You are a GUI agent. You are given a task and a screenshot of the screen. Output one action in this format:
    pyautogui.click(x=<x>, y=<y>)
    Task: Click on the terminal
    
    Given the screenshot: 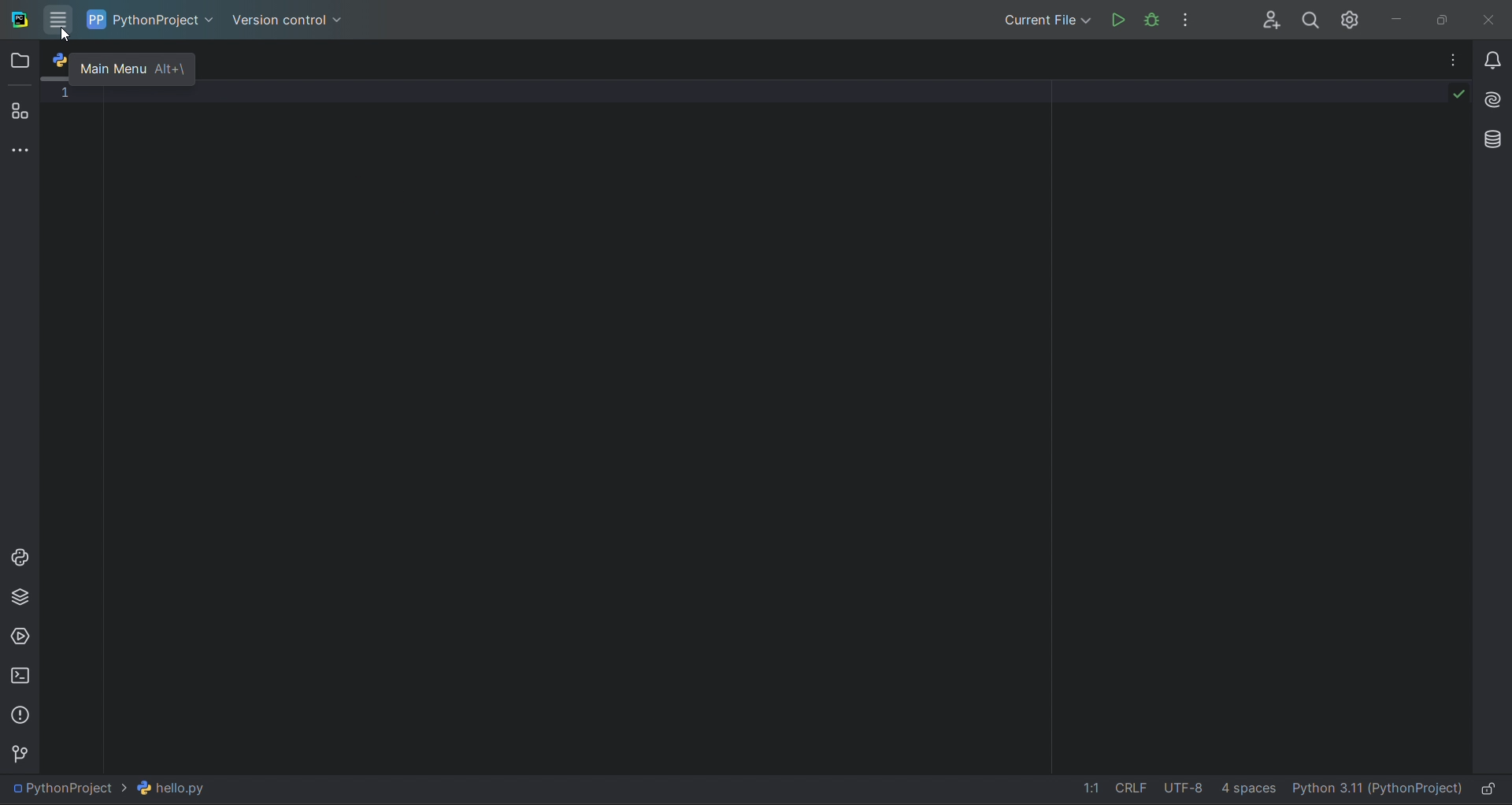 What is the action you would take?
    pyautogui.click(x=19, y=675)
    